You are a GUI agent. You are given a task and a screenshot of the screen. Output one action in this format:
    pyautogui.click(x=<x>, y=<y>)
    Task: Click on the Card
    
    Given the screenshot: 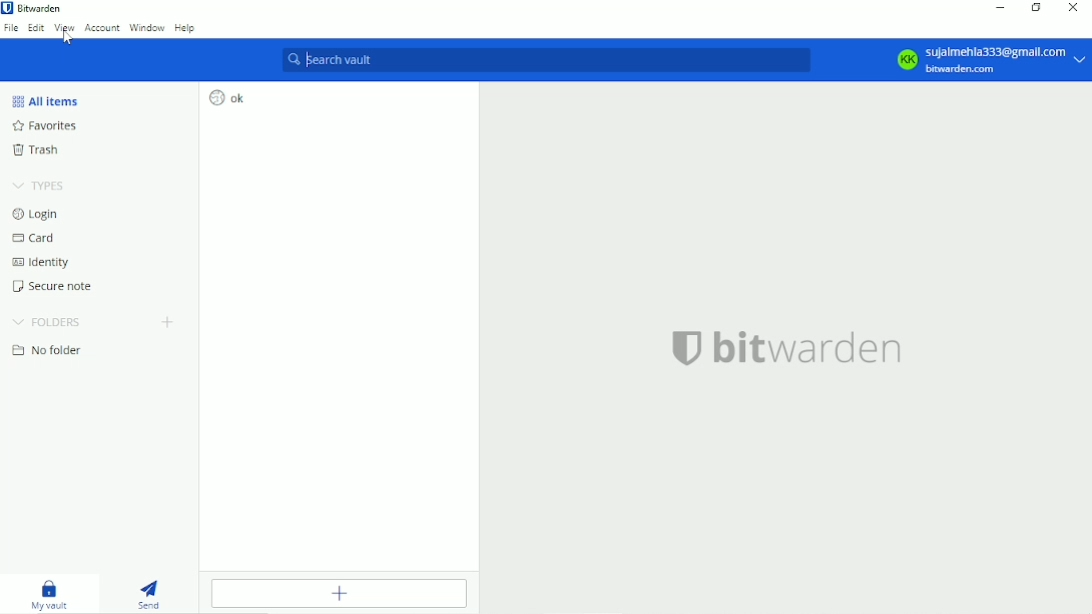 What is the action you would take?
    pyautogui.click(x=33, y=237)
    